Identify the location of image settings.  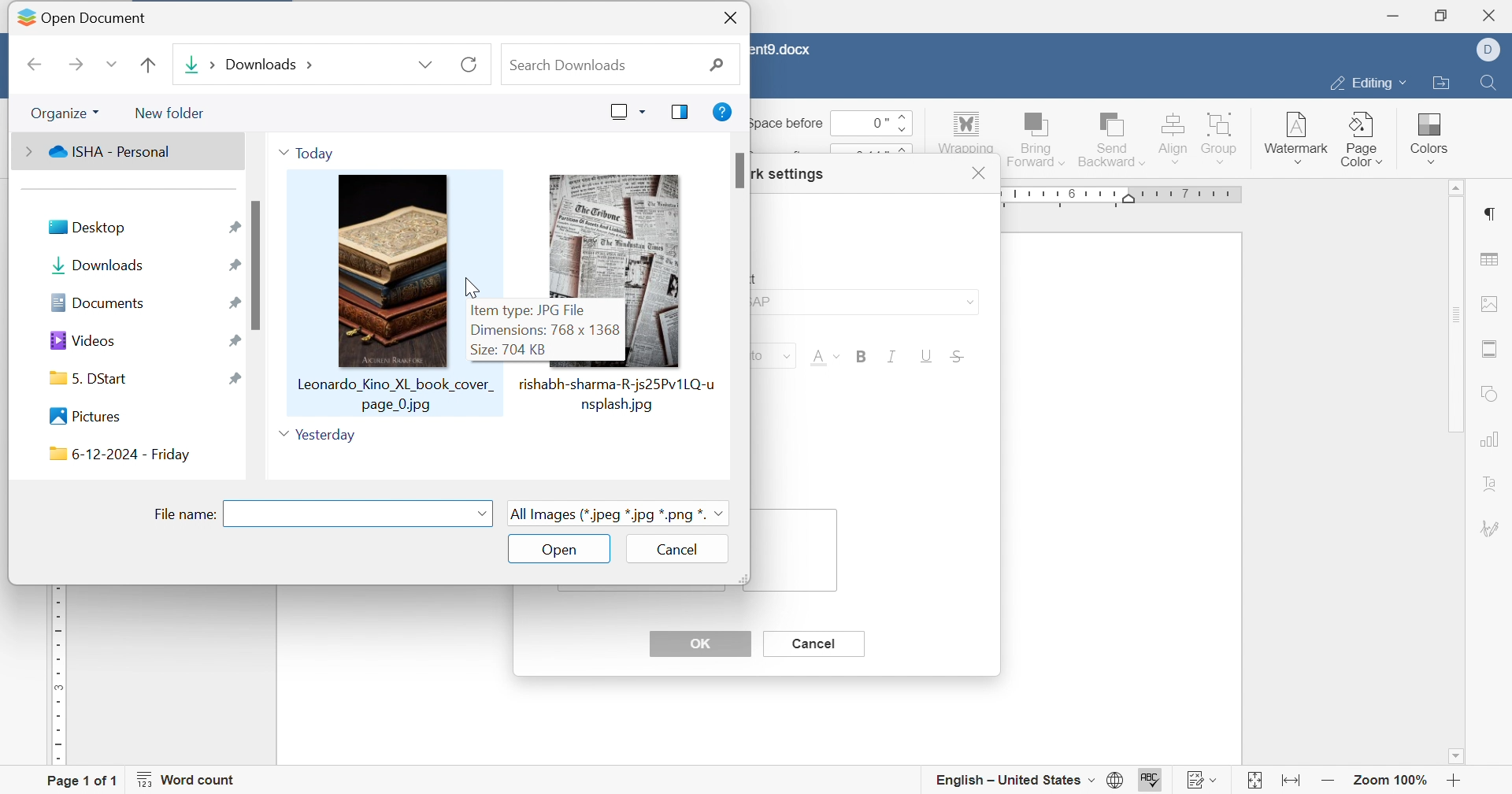
(1490, 303).